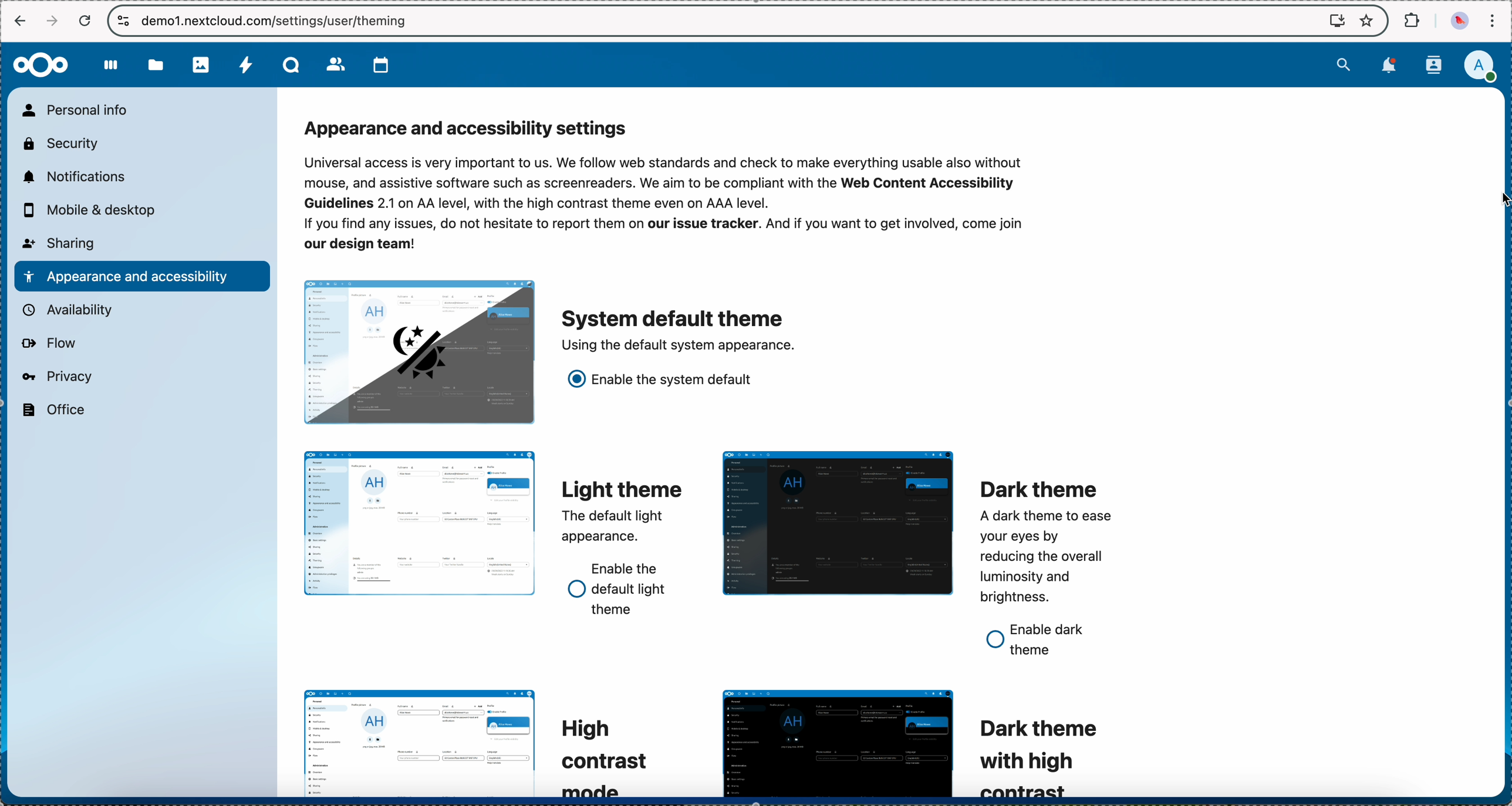 The image size is (1512, 806). Describe the element at coordinates (333, 65) in the screenshot. I see `contacts` at that location.